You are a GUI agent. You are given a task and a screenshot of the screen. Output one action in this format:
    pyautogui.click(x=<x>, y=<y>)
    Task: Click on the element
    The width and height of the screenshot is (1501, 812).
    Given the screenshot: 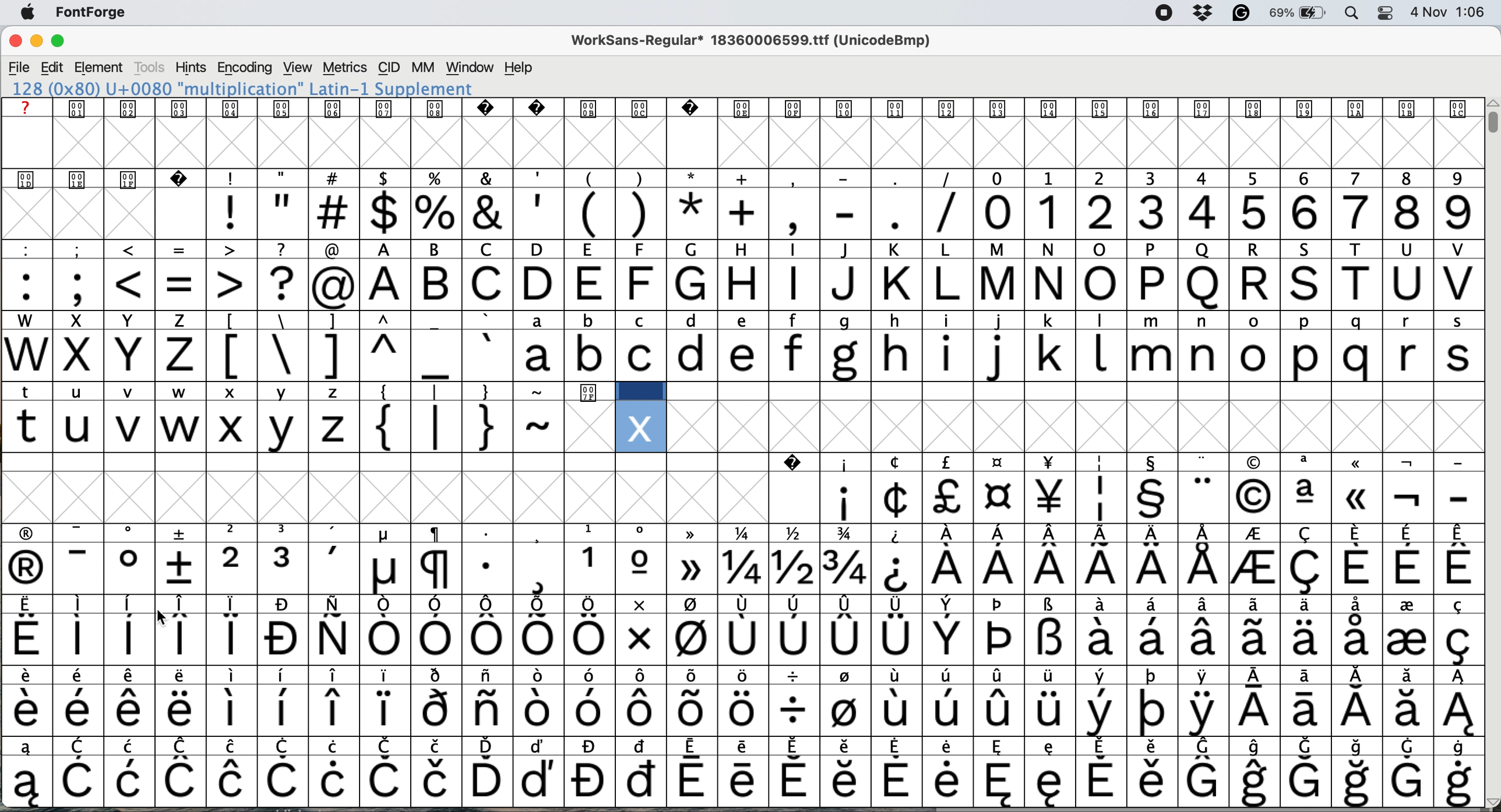 What is the action you would take?
    pyautogui.click(x=101, y=68)
    